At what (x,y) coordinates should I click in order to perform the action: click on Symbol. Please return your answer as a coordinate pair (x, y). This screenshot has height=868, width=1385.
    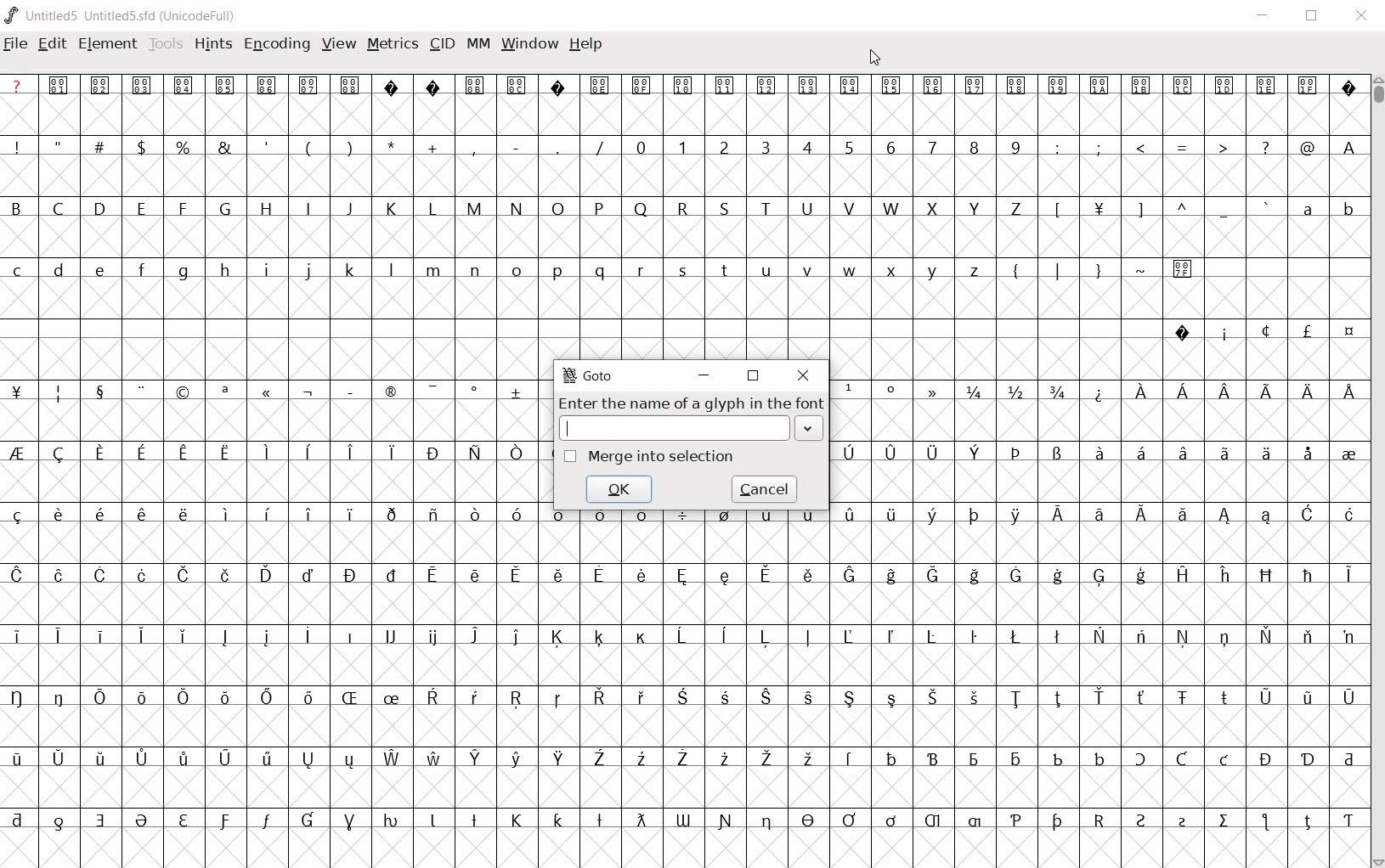
    Looking at the image, I should click on (642, 516).